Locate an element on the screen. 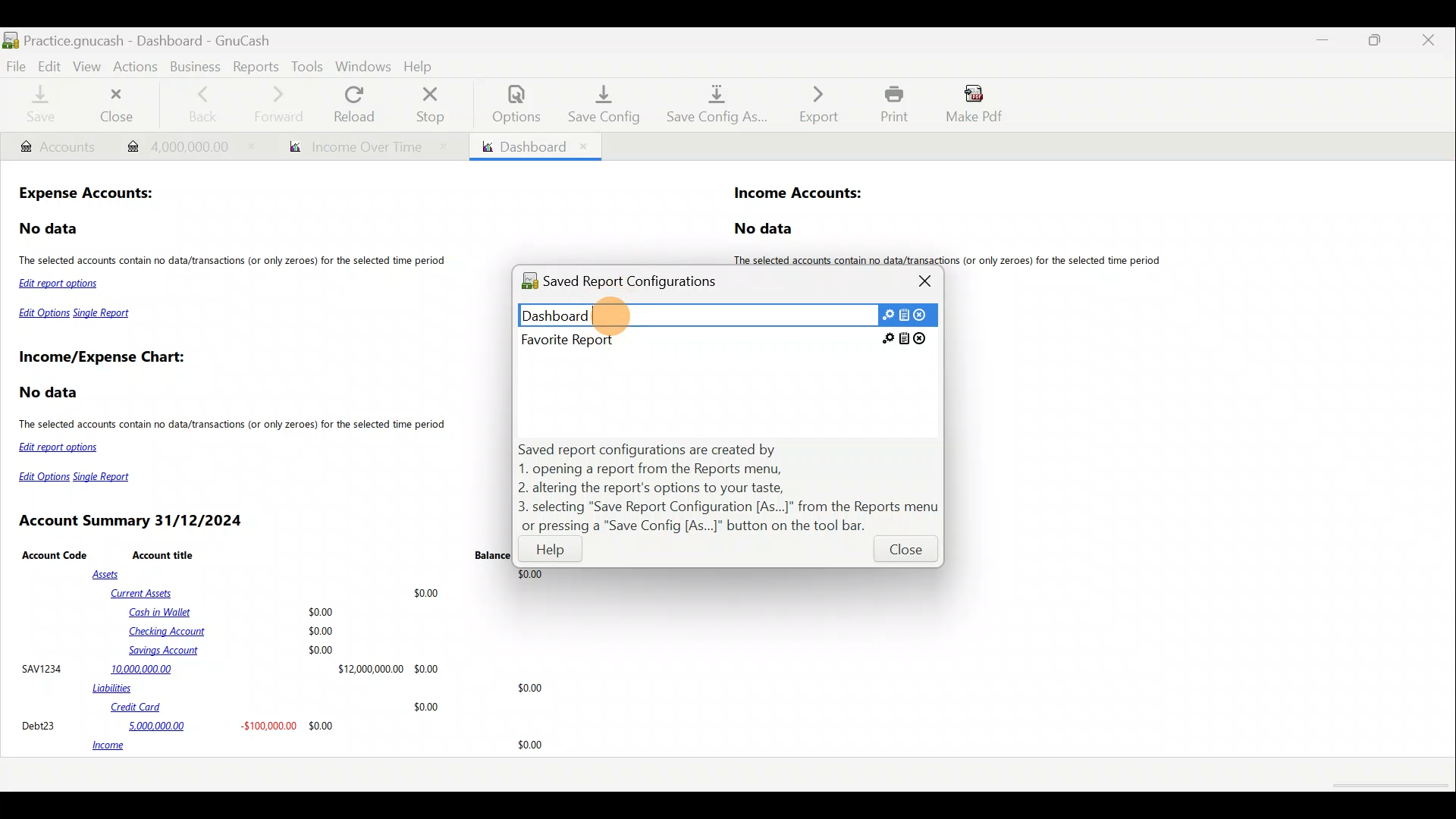 The image size is (1456, 819). Help is located at coordinates (422, 64).